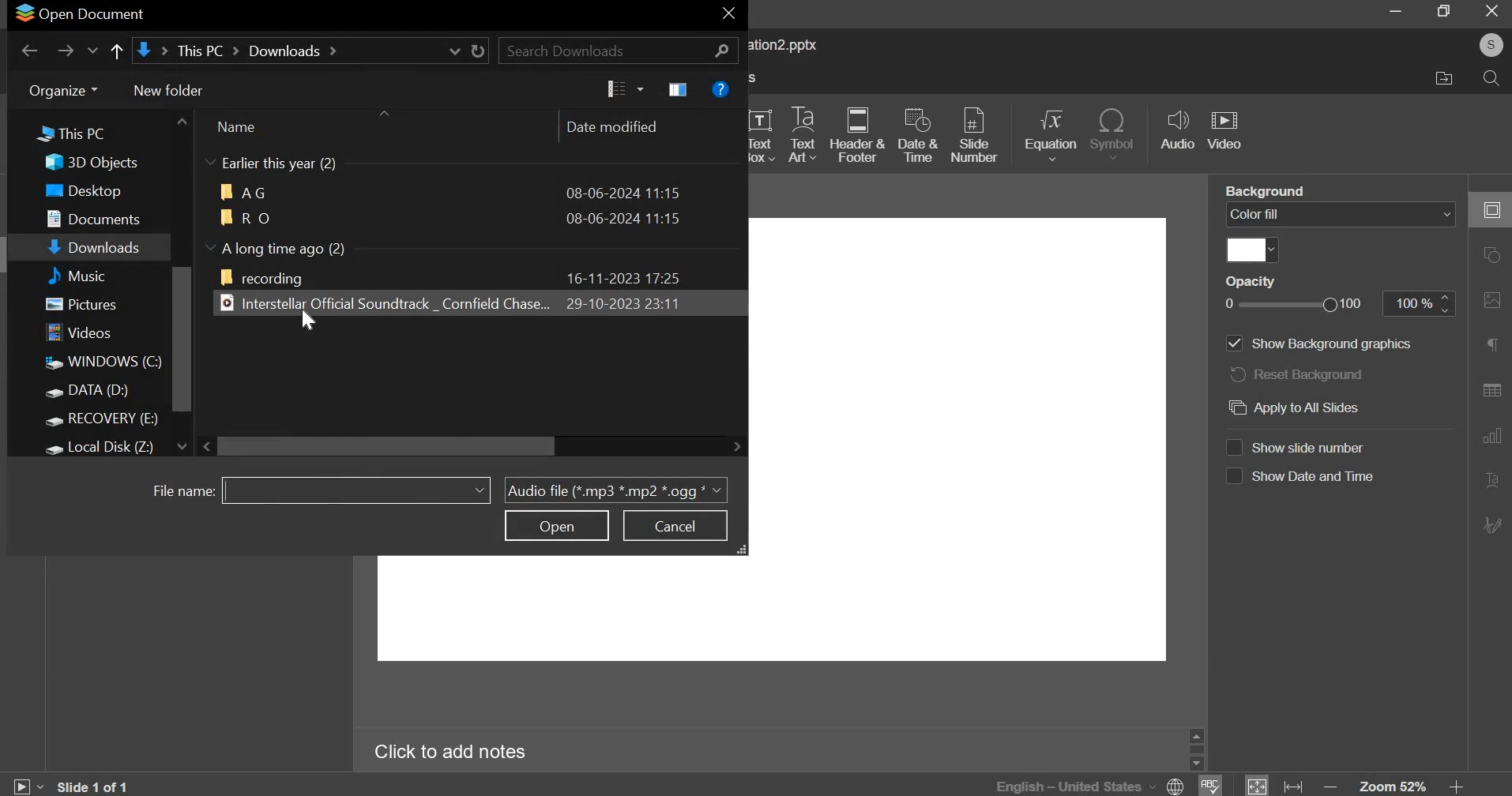  What do you see at coordinates (620, 302) in the screenshot?
I see `creation date` at bounding box center [620, 302].